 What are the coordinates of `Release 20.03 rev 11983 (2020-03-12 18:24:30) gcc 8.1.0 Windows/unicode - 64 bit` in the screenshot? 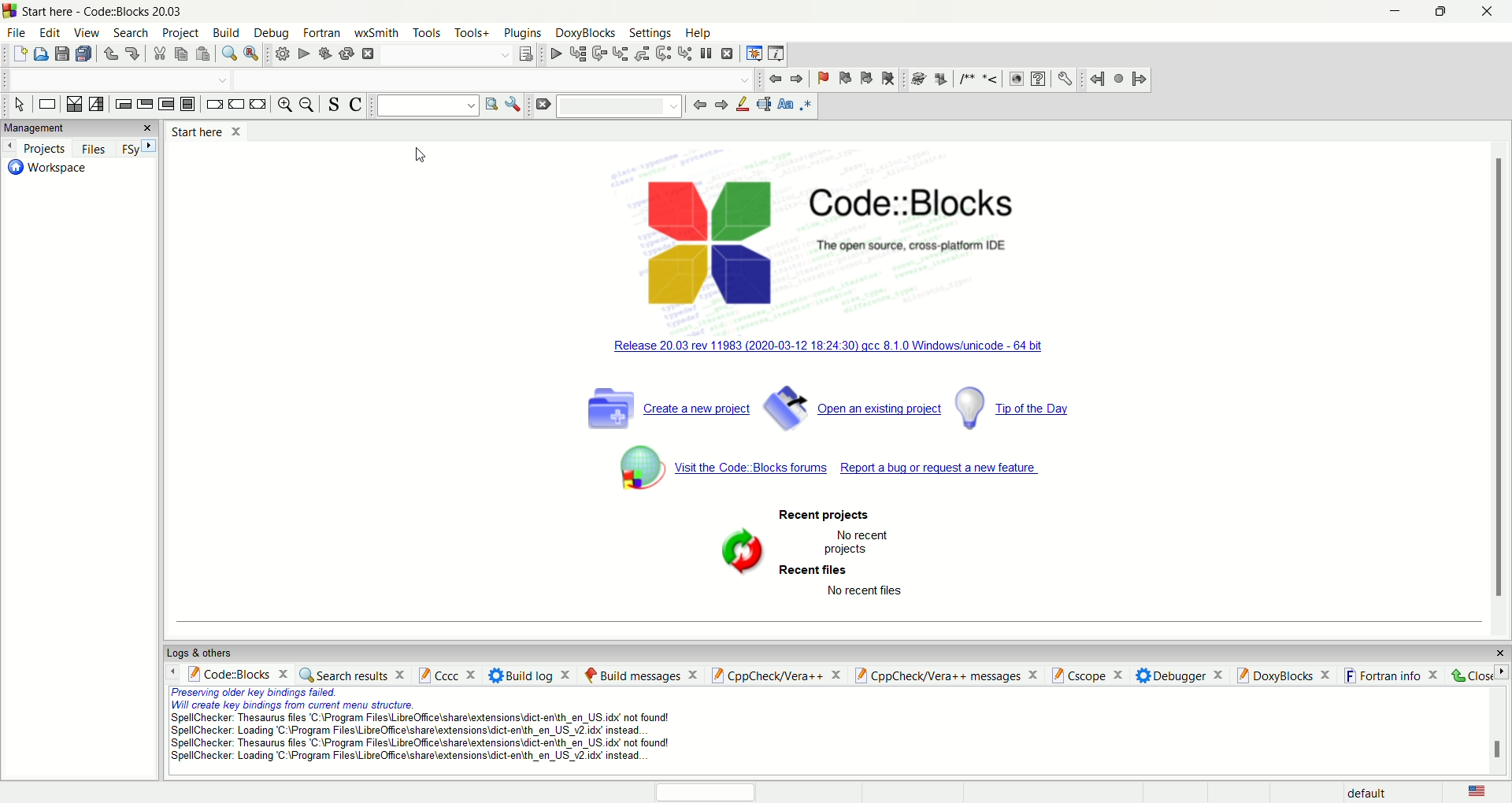 It's located at (830, 346).